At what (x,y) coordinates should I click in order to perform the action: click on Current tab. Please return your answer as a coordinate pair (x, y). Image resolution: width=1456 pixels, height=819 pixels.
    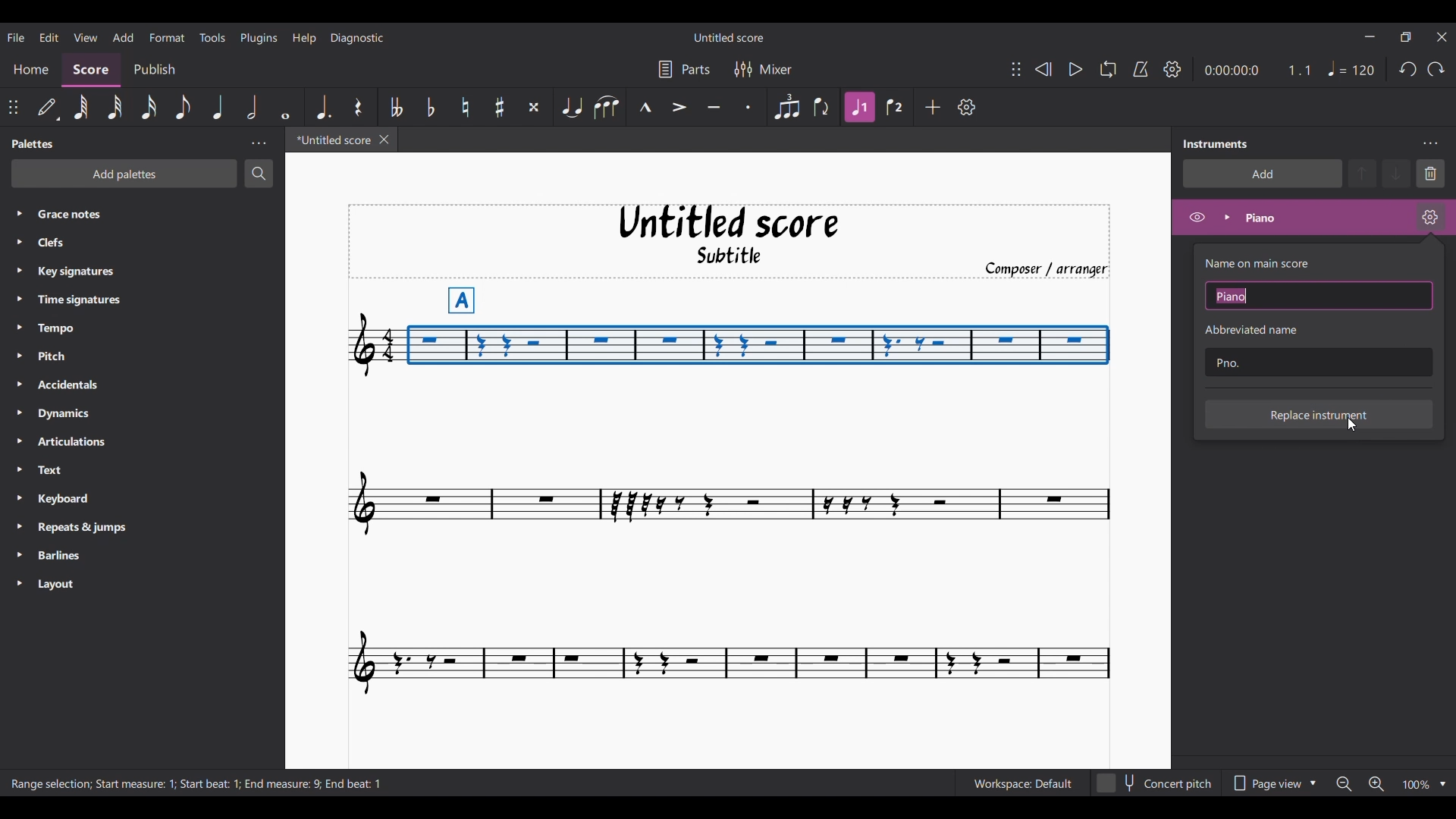
    Looking at the image, I should click on (329, 140).